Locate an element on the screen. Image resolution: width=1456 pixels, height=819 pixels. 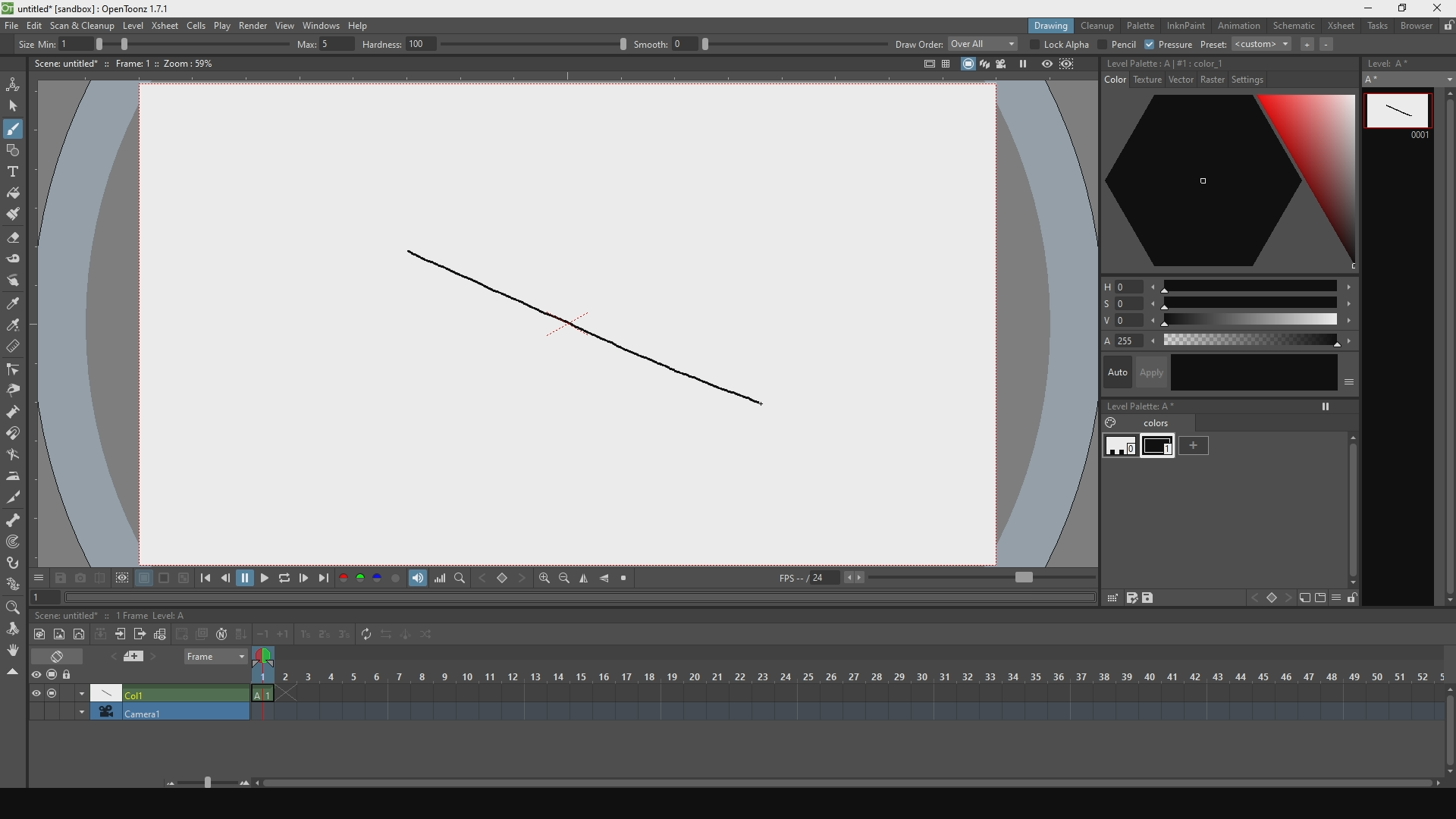
erase is located at coordinates (67, 657).